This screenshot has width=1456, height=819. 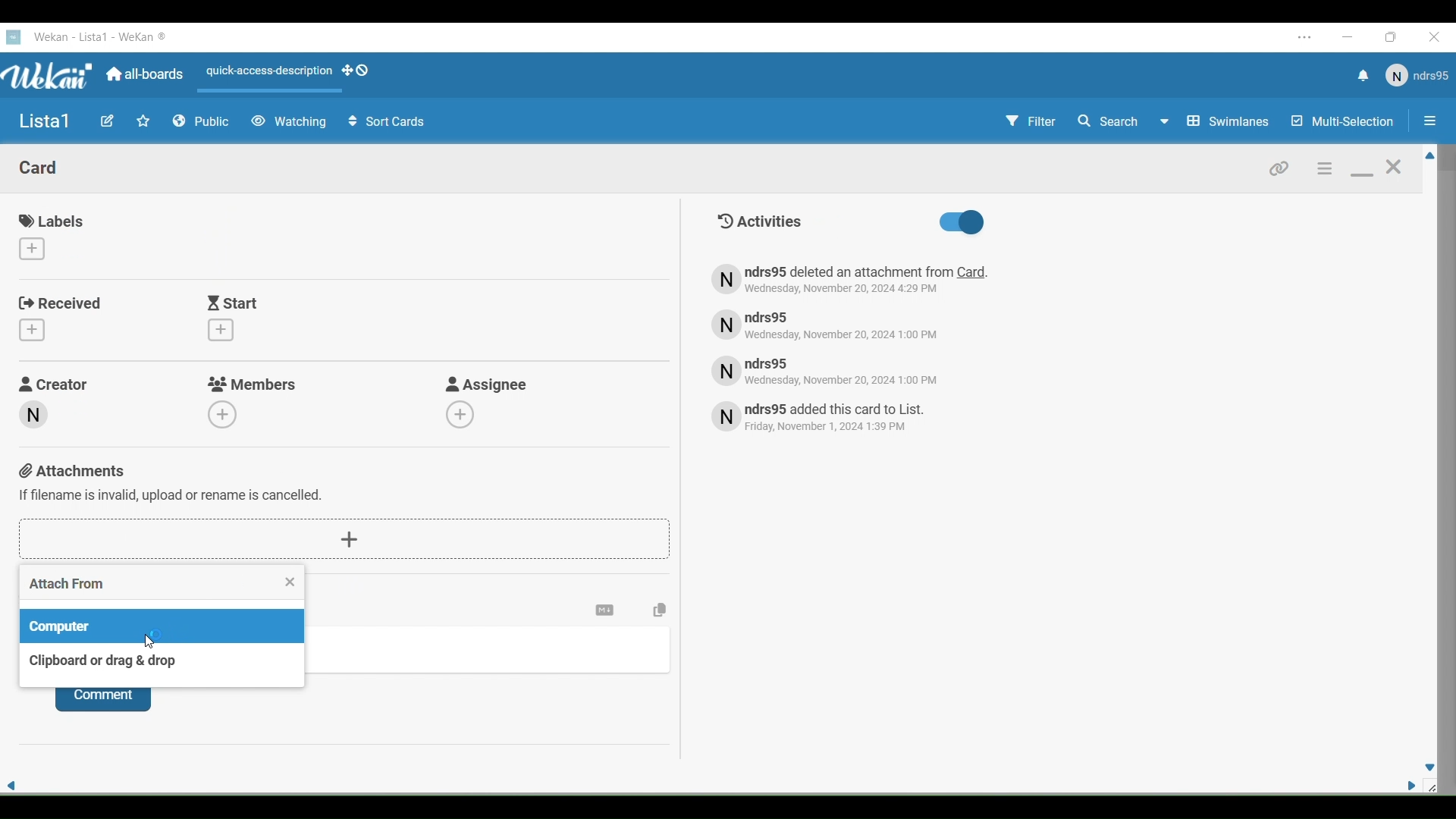 I want to click on Swimlines, so click(x=1230, y=121).